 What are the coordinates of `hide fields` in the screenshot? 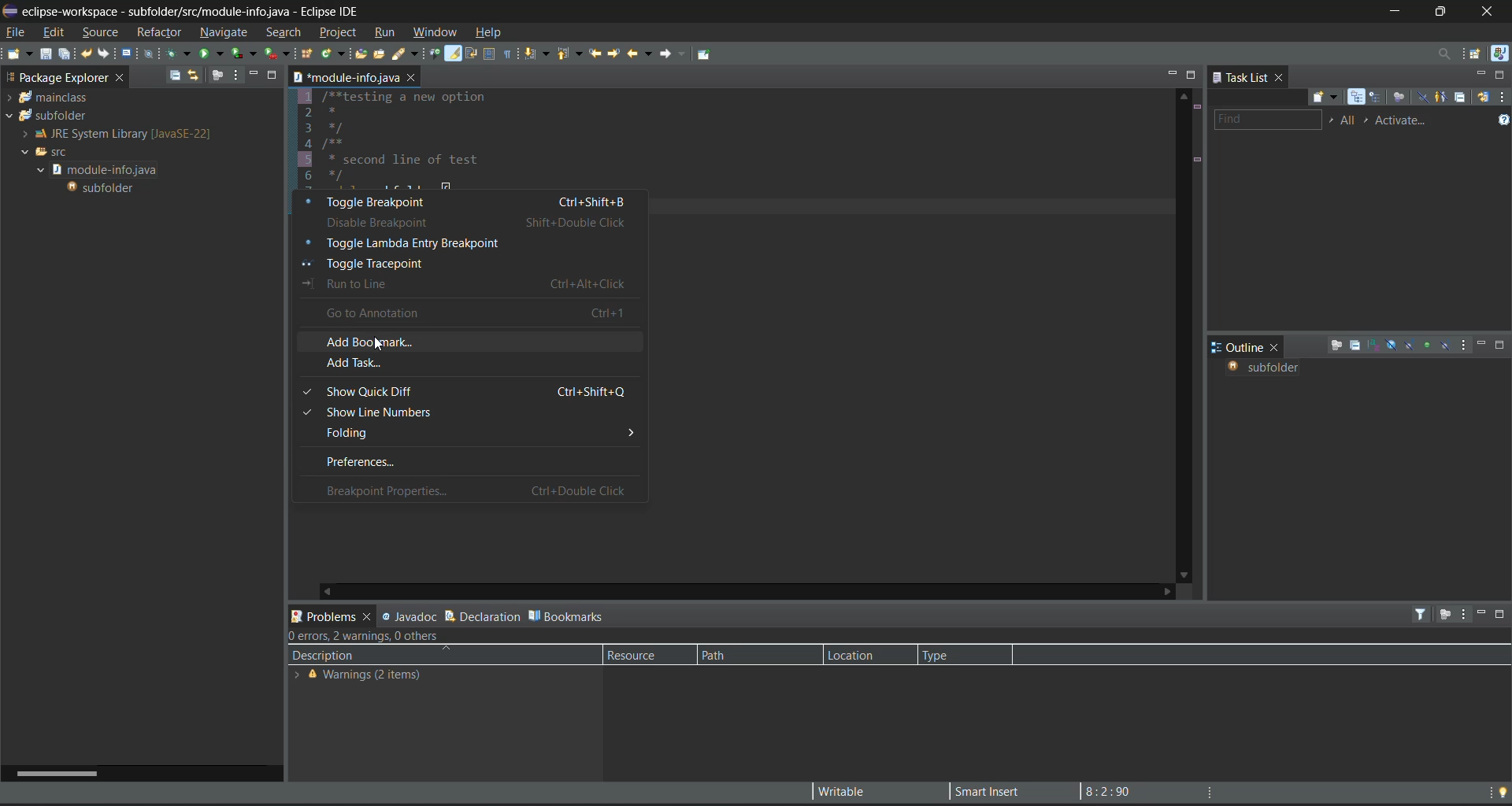 It's located at (1392, 344).